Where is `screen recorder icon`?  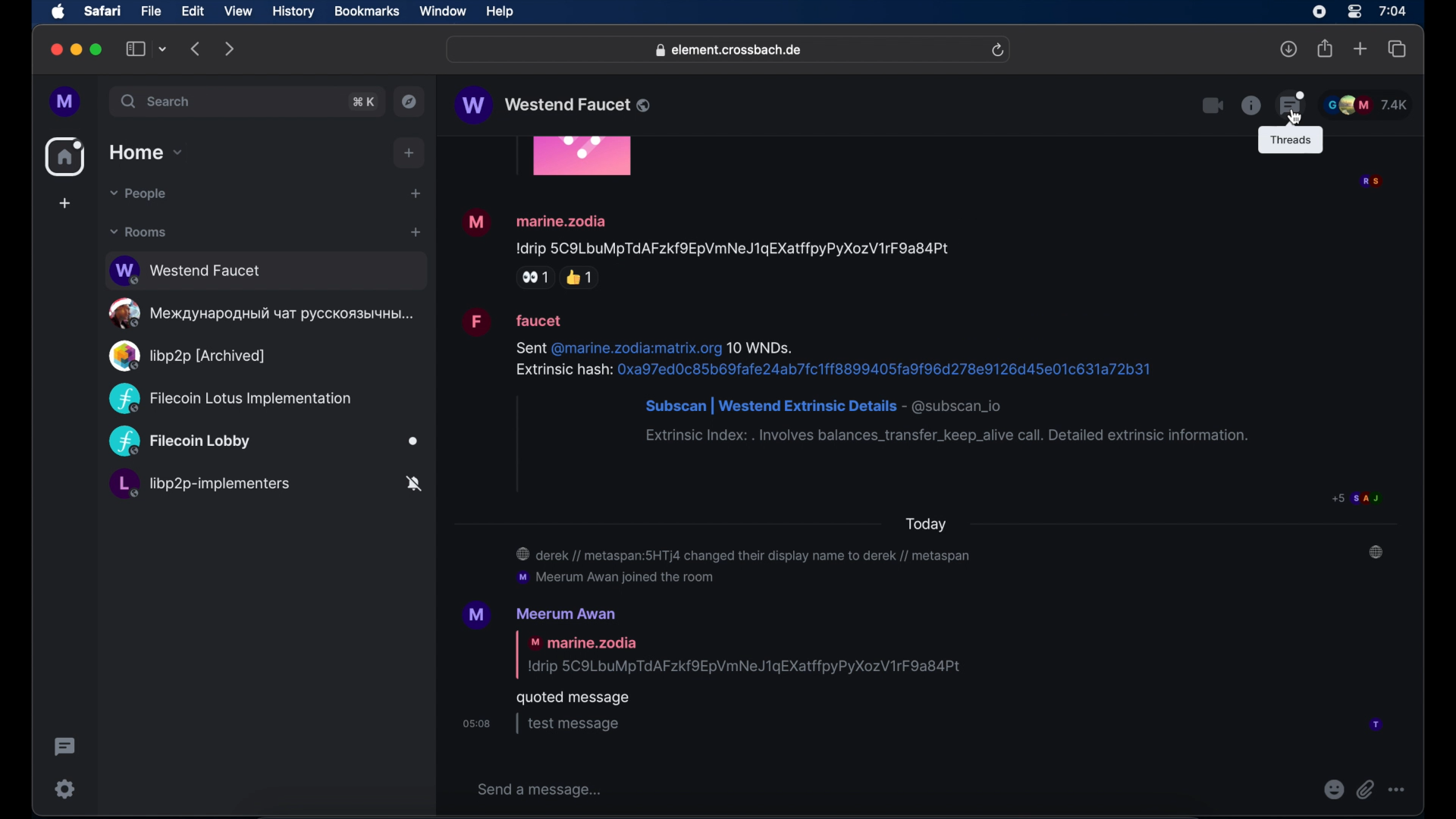 screen recorder icon is located at coordinates (1319, 13).